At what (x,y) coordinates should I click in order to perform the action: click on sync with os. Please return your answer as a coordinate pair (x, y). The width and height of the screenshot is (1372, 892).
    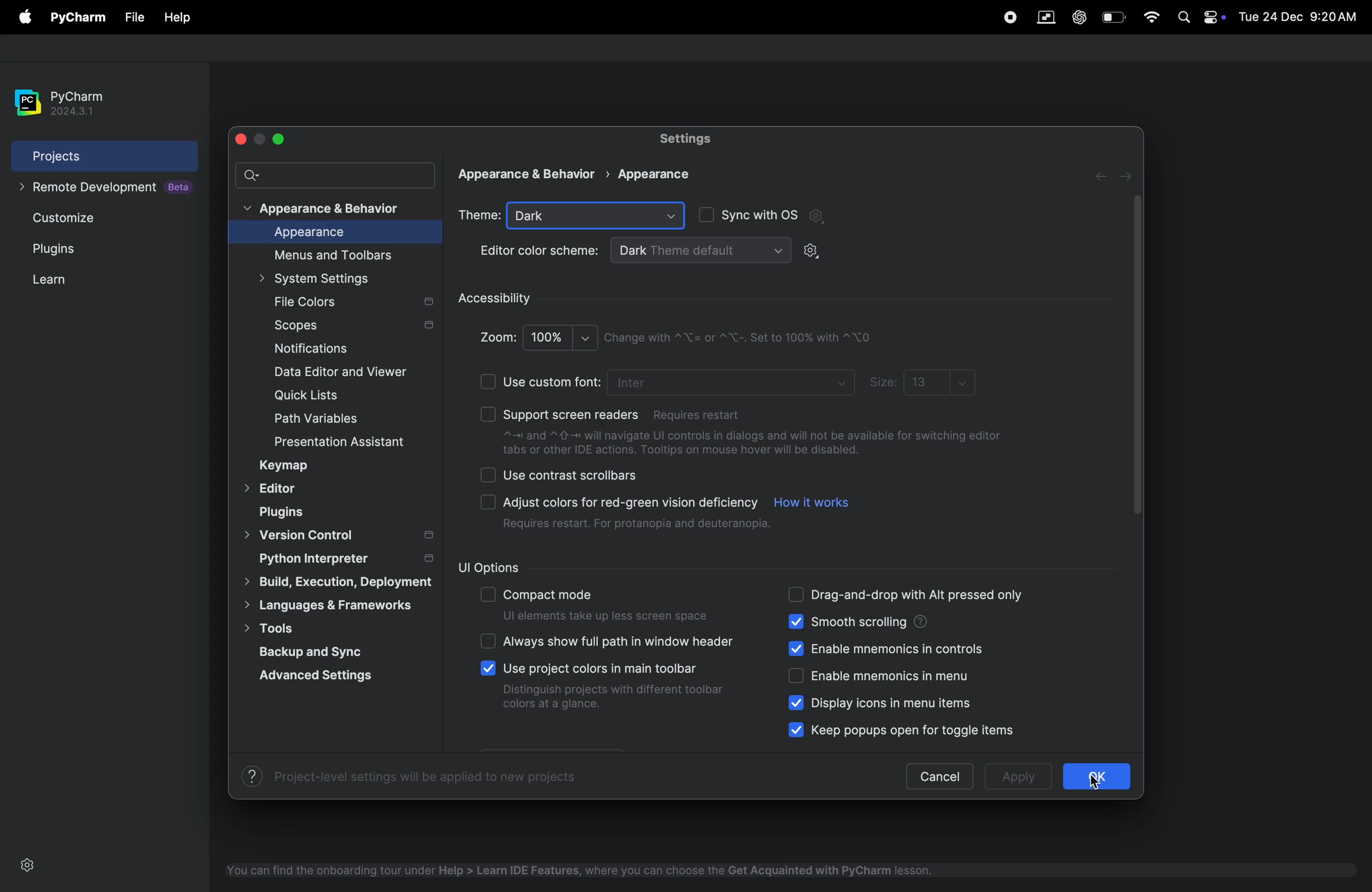
    Looking at the image, I should click on (775, 216).